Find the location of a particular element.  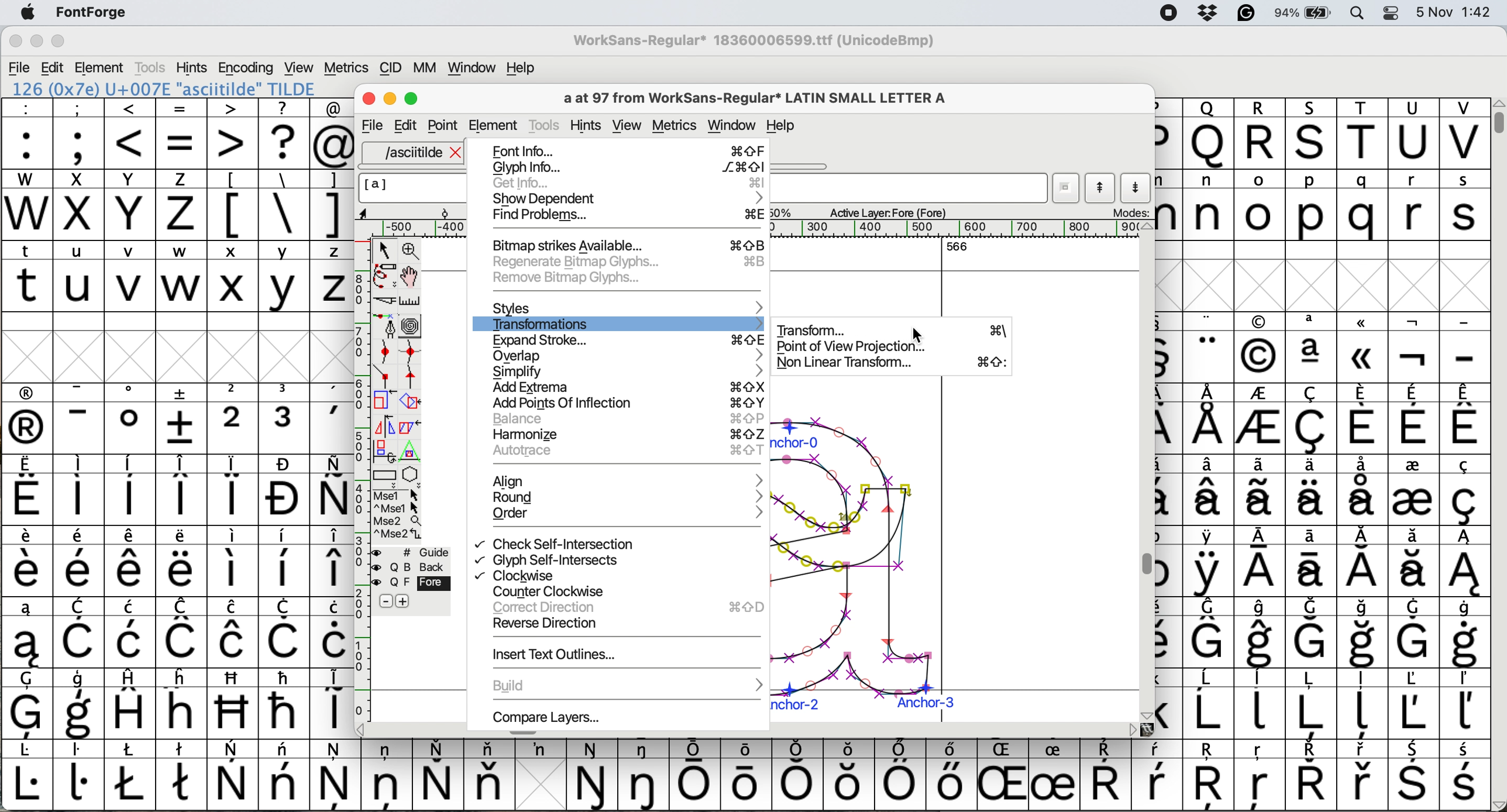

grammarly is located at coordinates (1245, 15).